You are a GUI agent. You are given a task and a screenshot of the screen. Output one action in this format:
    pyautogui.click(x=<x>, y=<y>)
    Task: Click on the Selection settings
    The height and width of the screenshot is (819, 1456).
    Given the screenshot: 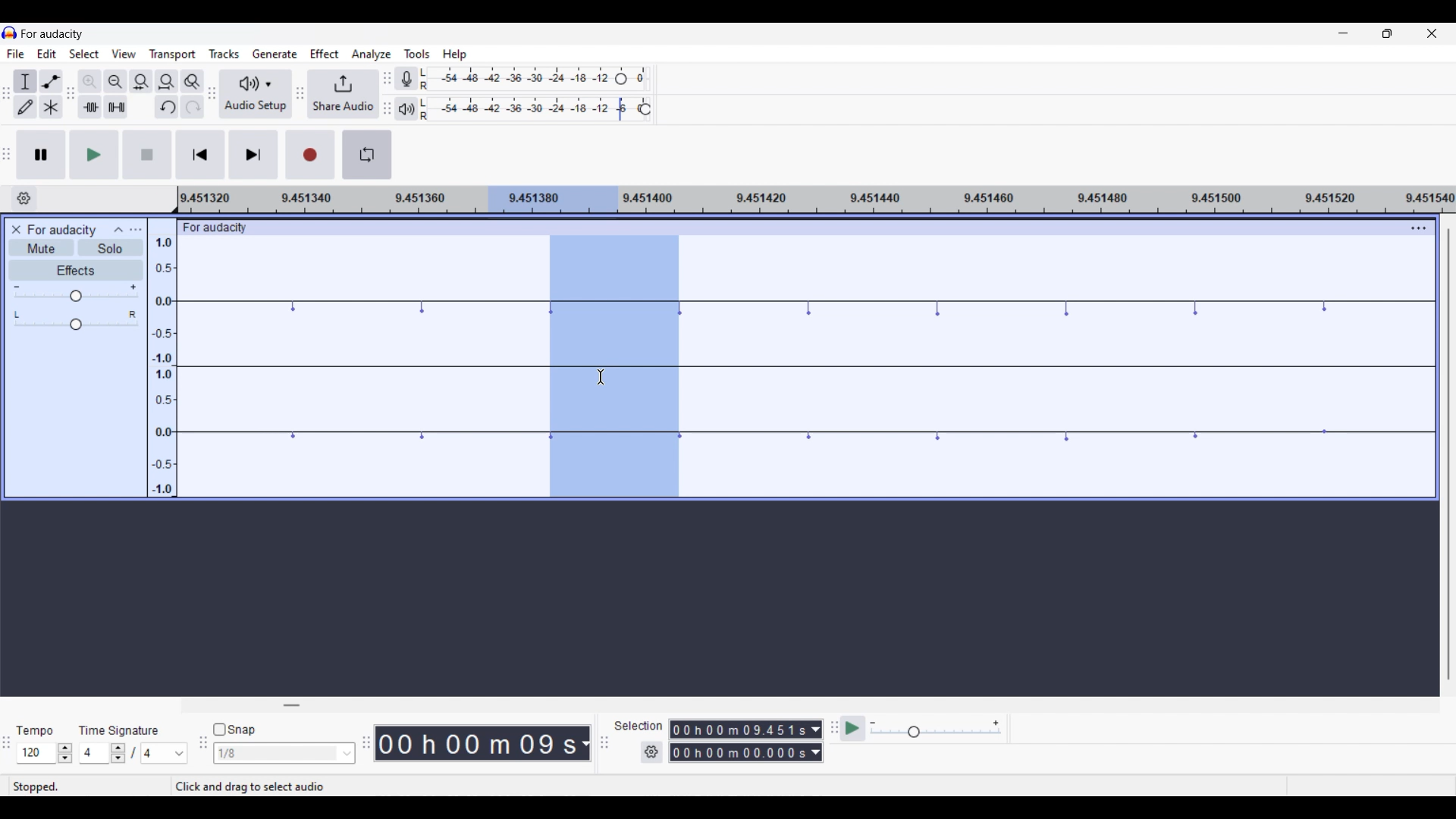 What is the action you would take?
    pyautogui.click(x=651, y=752)
    